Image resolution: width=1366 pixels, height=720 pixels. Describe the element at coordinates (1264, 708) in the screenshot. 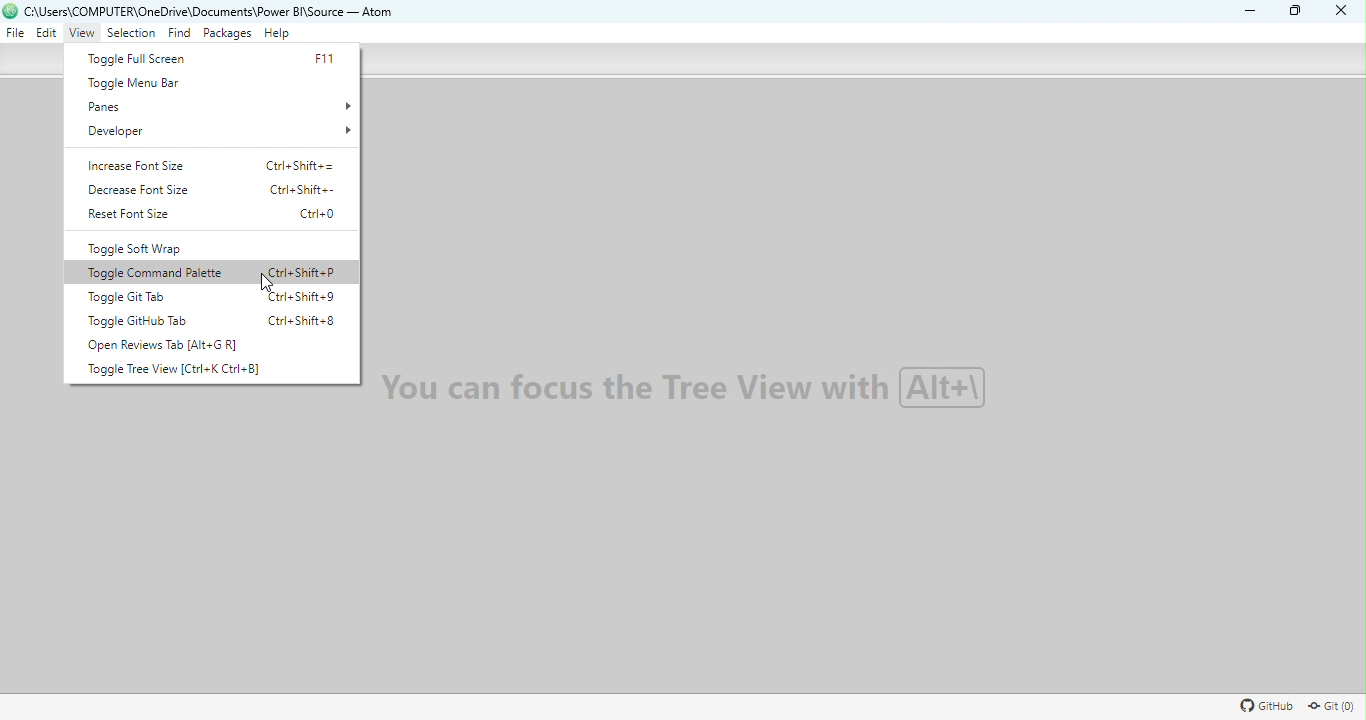

I see `GitHub` at that location.